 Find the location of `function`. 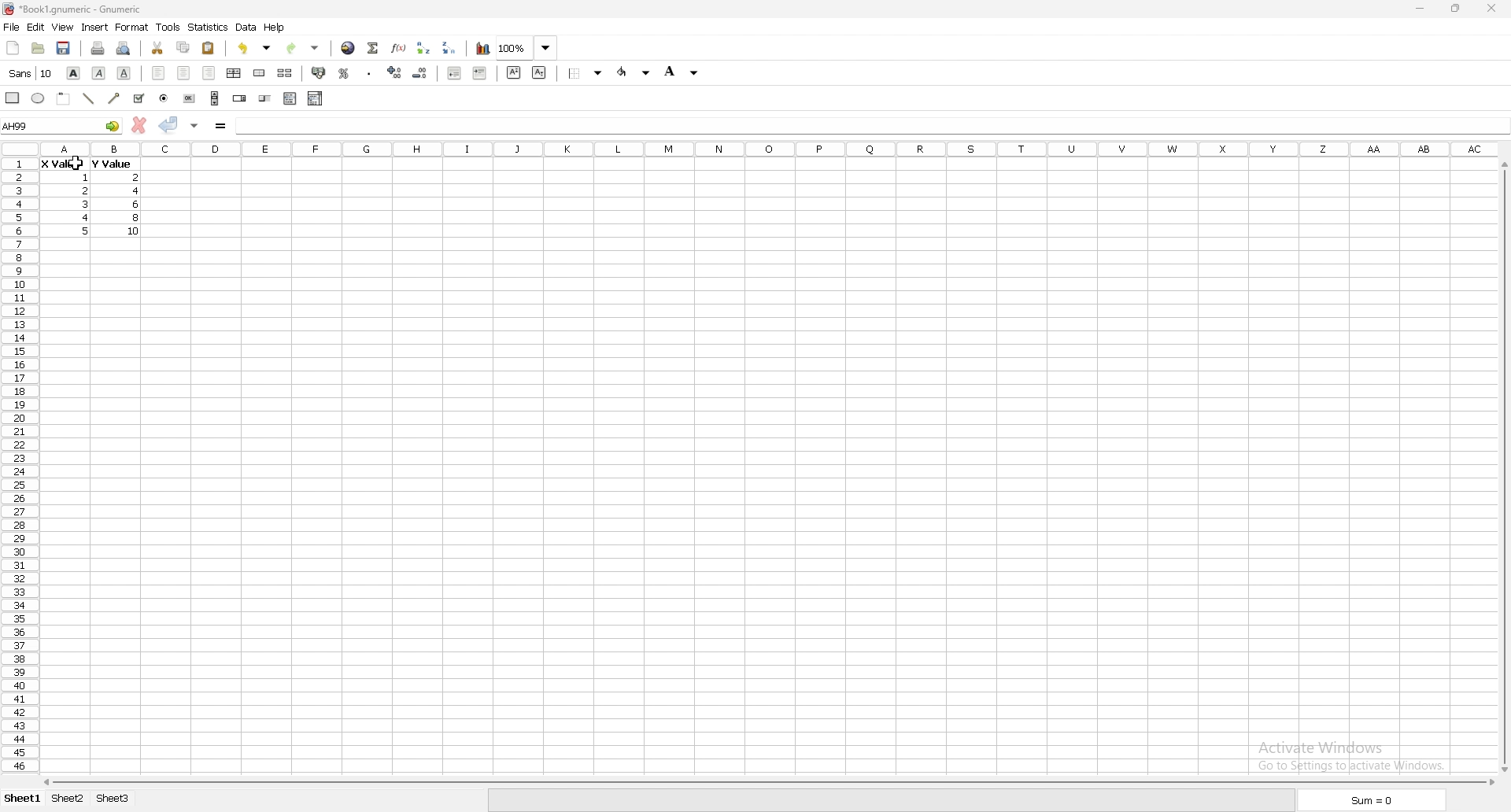

function is located at coordinates (401, 47).